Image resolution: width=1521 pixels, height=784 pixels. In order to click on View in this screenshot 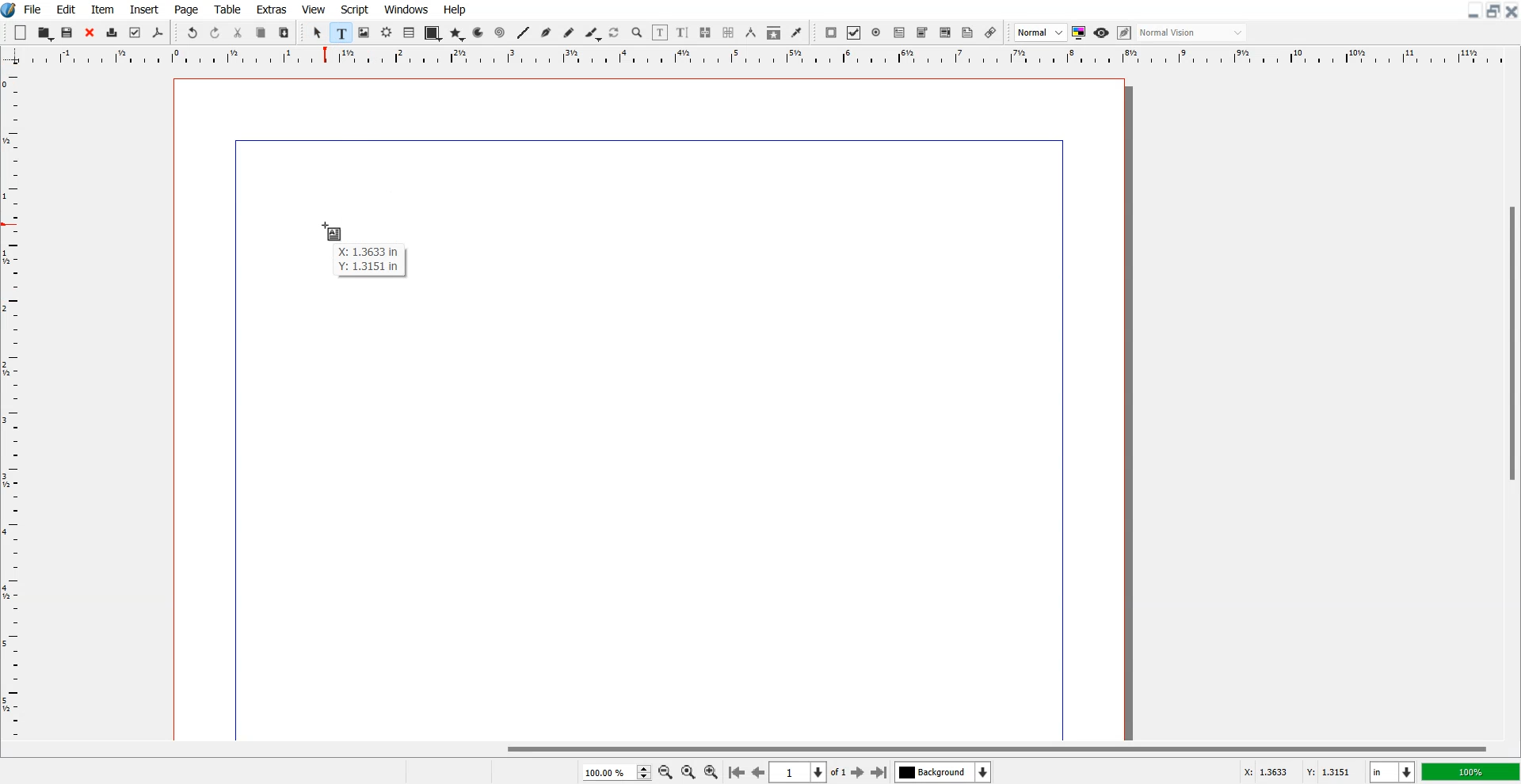, I will do `click(314, 9)`.